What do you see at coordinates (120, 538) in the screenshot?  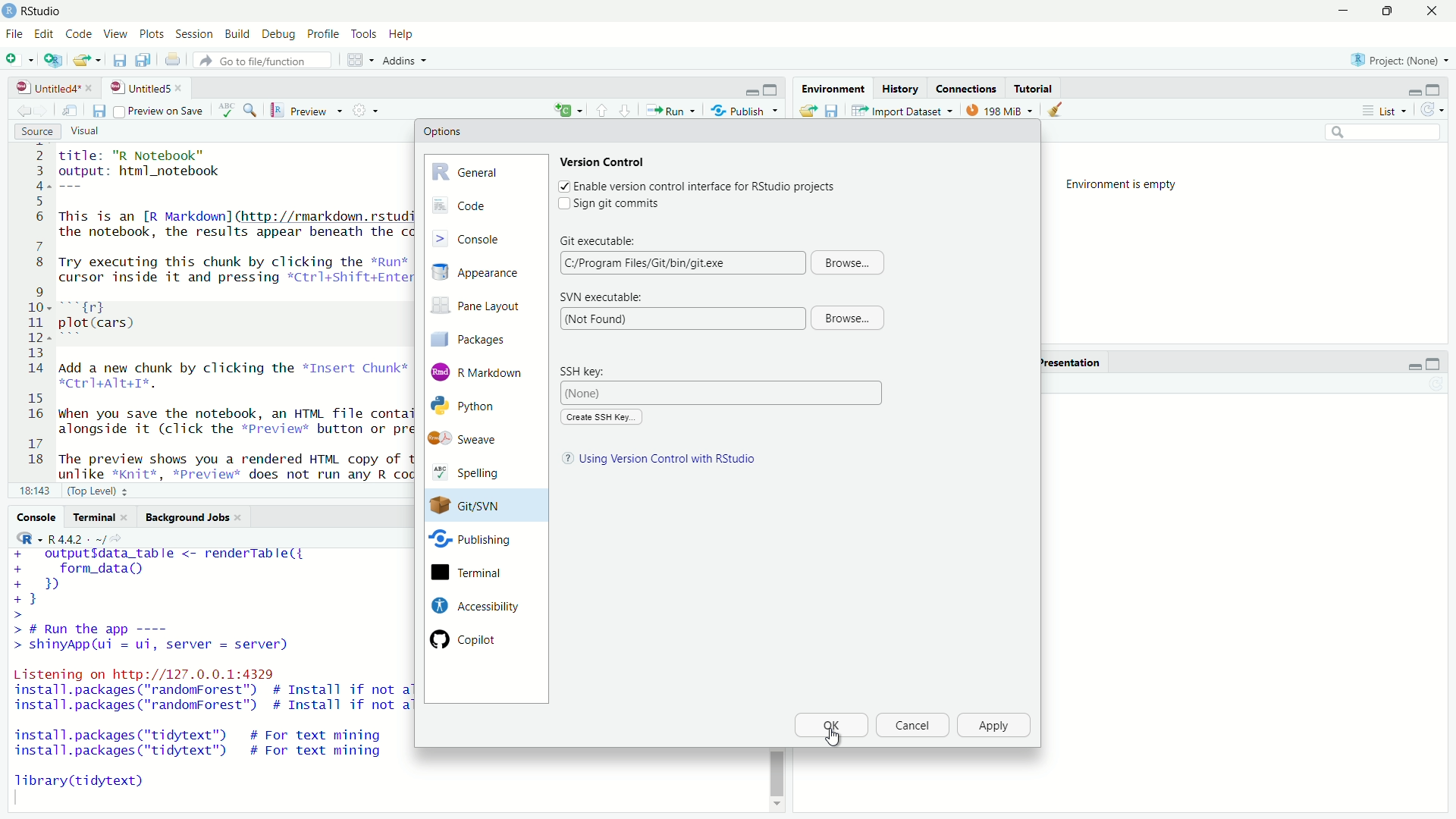 I see `view current working directory` at bounding box center [120, 538].